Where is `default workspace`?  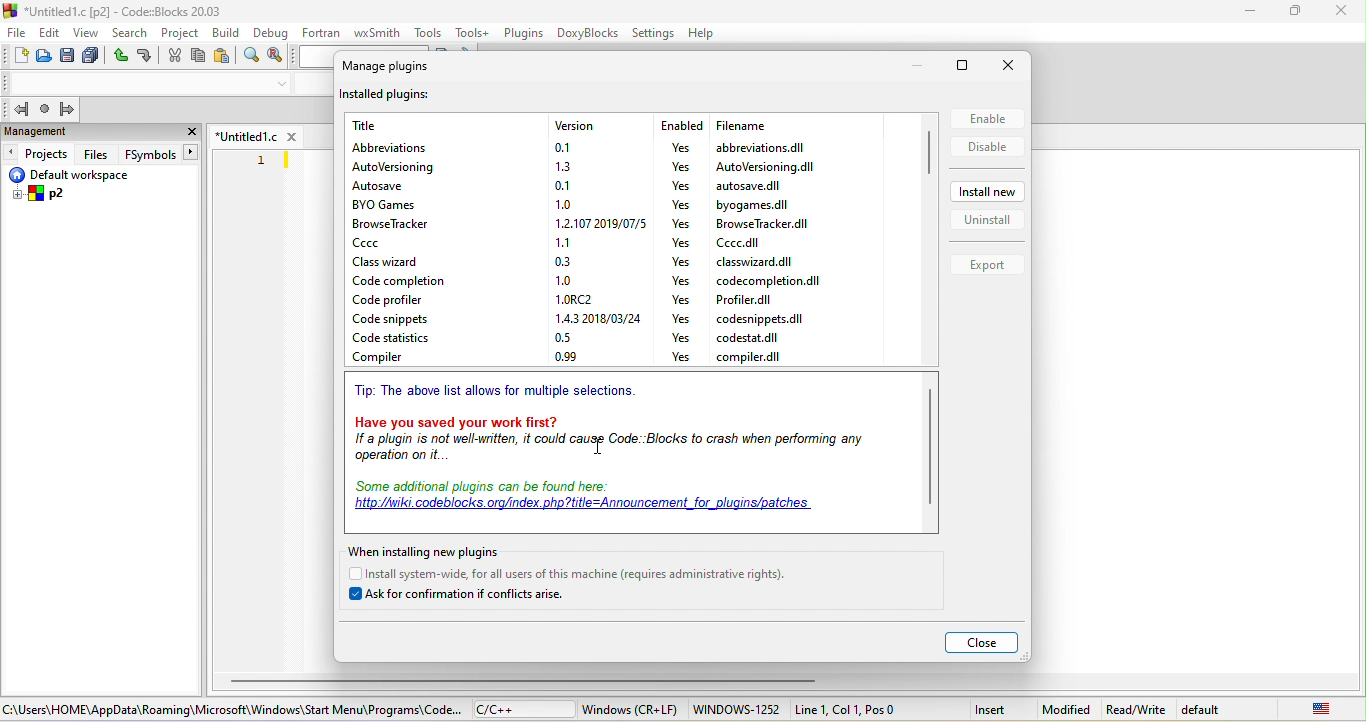 default workspace is located at coordinates (83, 175).